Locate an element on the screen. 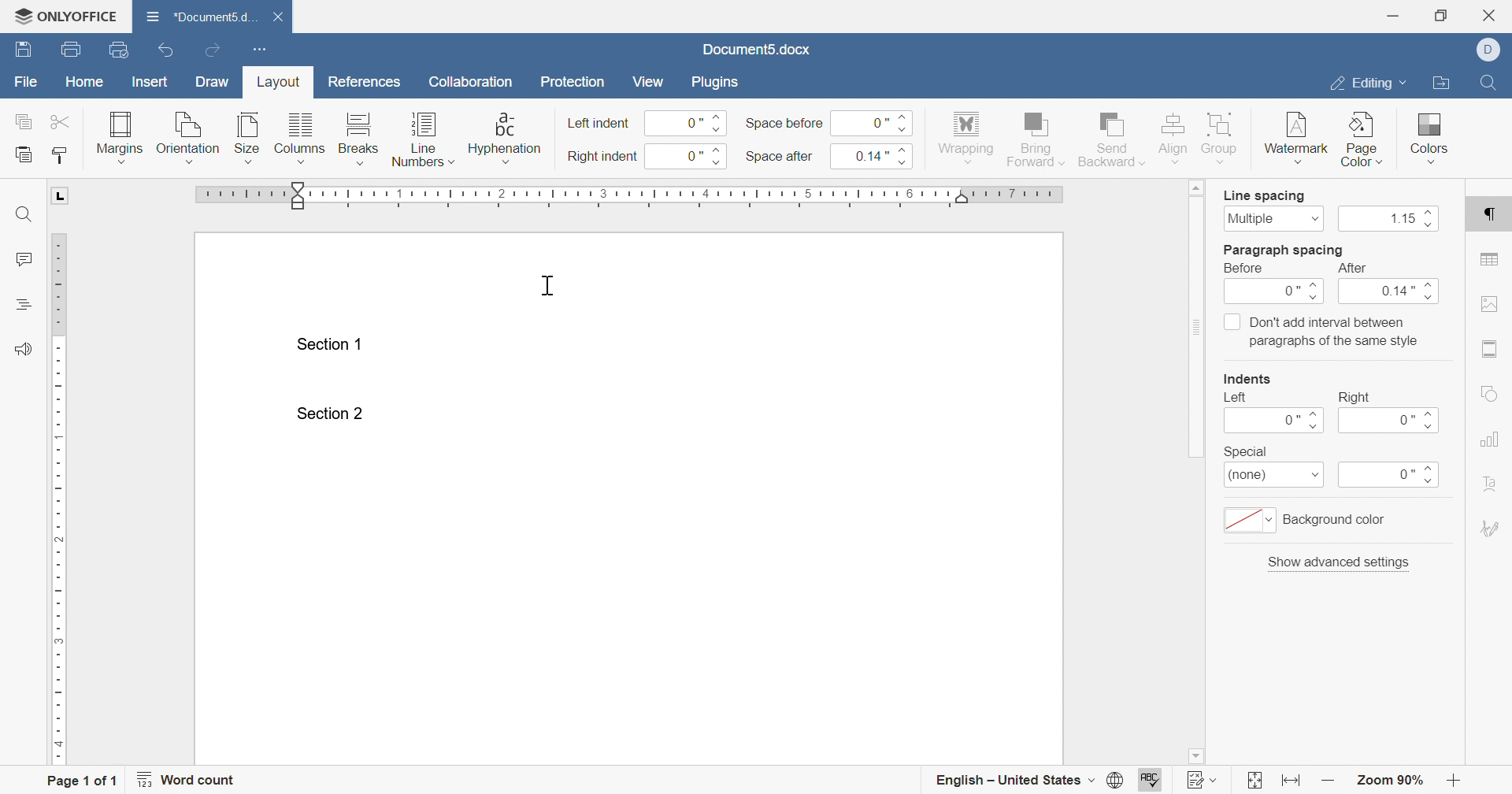 Image resolution: width=1512 pixels, height=794 pixels. group is located at coordinates (1224, 139).